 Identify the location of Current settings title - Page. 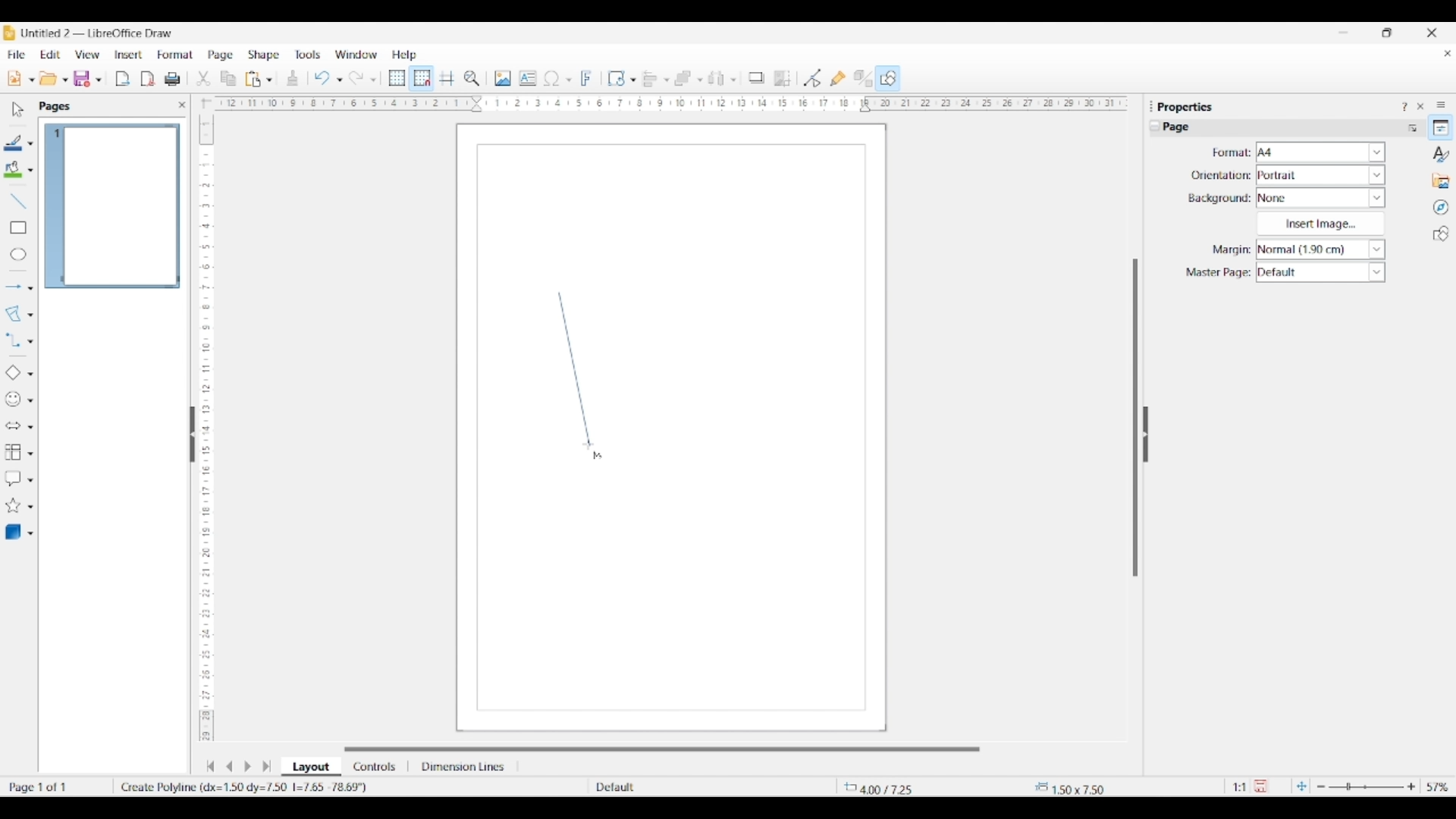
(1183, 129).